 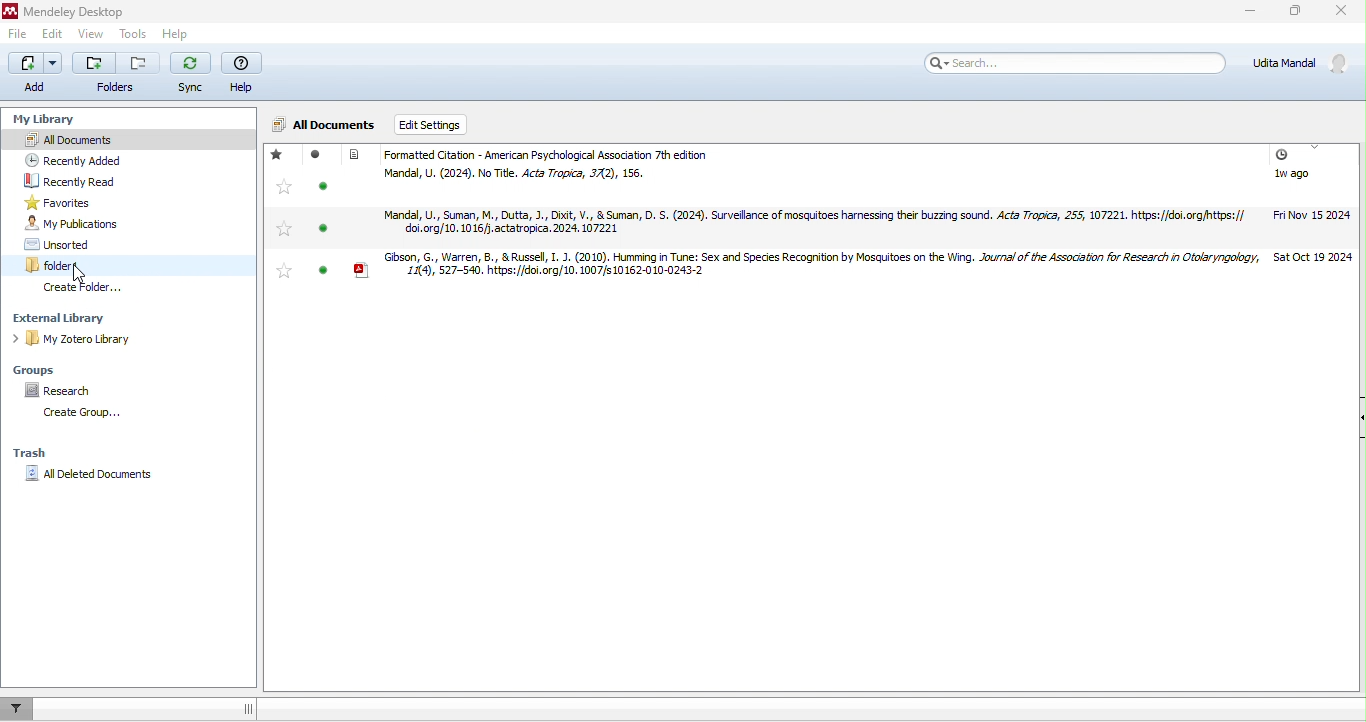 I want to click on Udita Mandal, so click(x=1298, y=61).